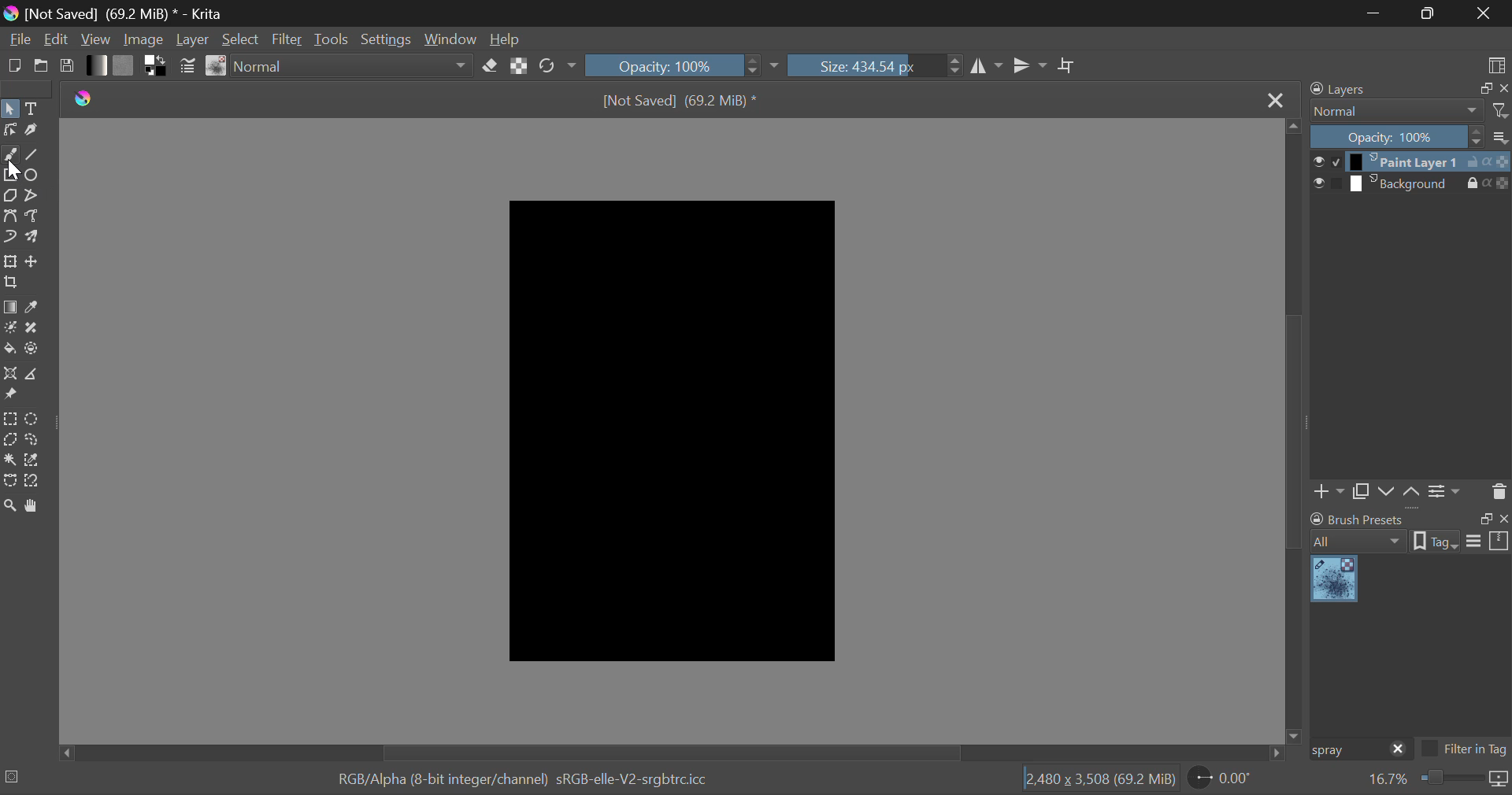 Image resolution: width=1512 pixels, height=795 pixels. Describe the element at coordinates (11, 308) in the screenshot. I see `Gradient Fill` at that location.